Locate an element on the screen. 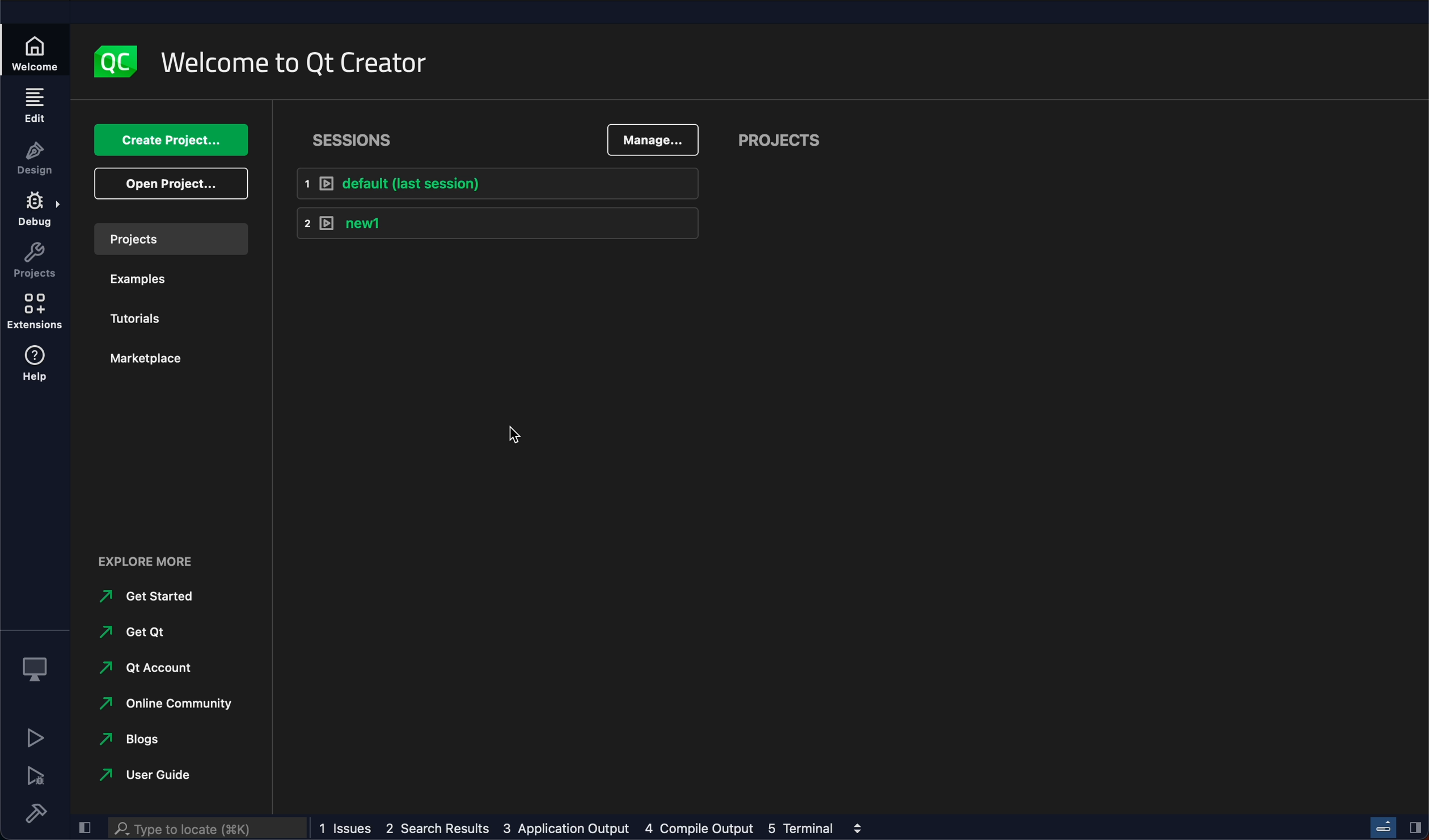  run debug is located at coordinates (35, 776).